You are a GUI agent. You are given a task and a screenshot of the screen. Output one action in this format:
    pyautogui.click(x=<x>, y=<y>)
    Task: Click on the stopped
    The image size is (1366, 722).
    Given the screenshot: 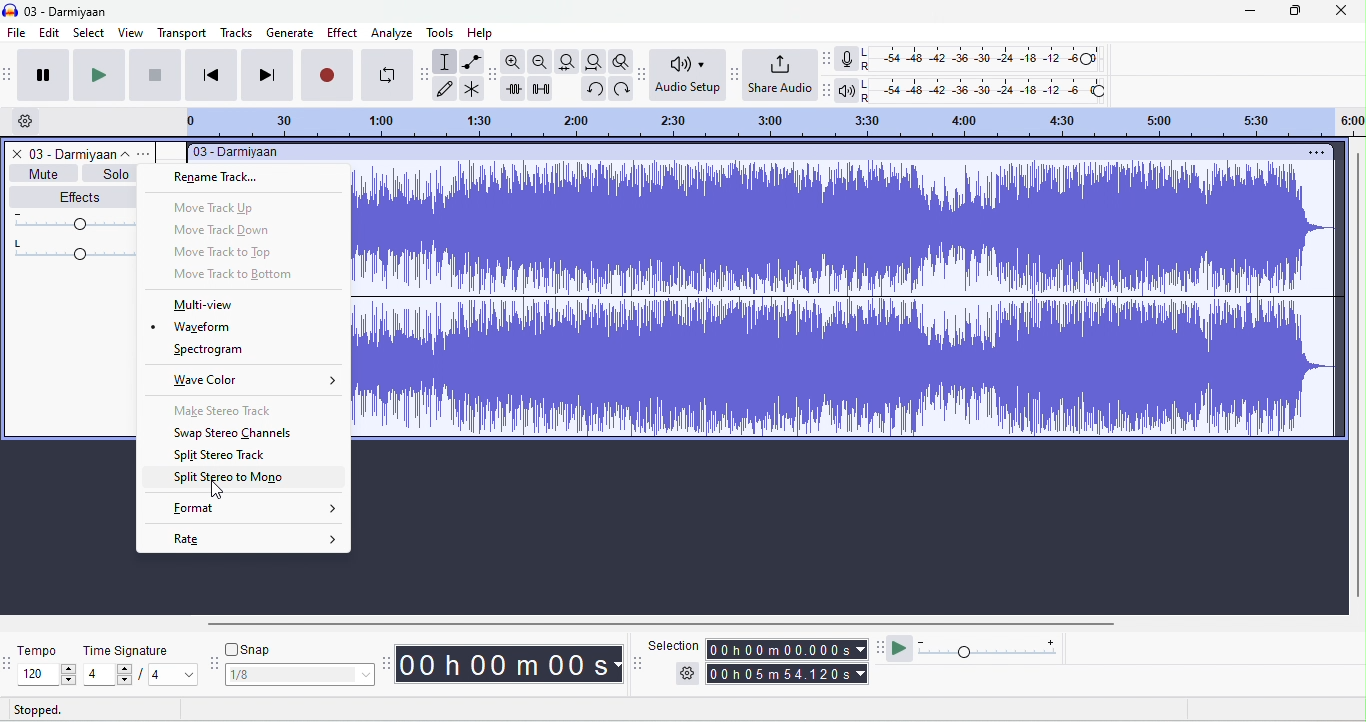 What is the action you would take?
    pyautogui.click(x=46, y=710)
    